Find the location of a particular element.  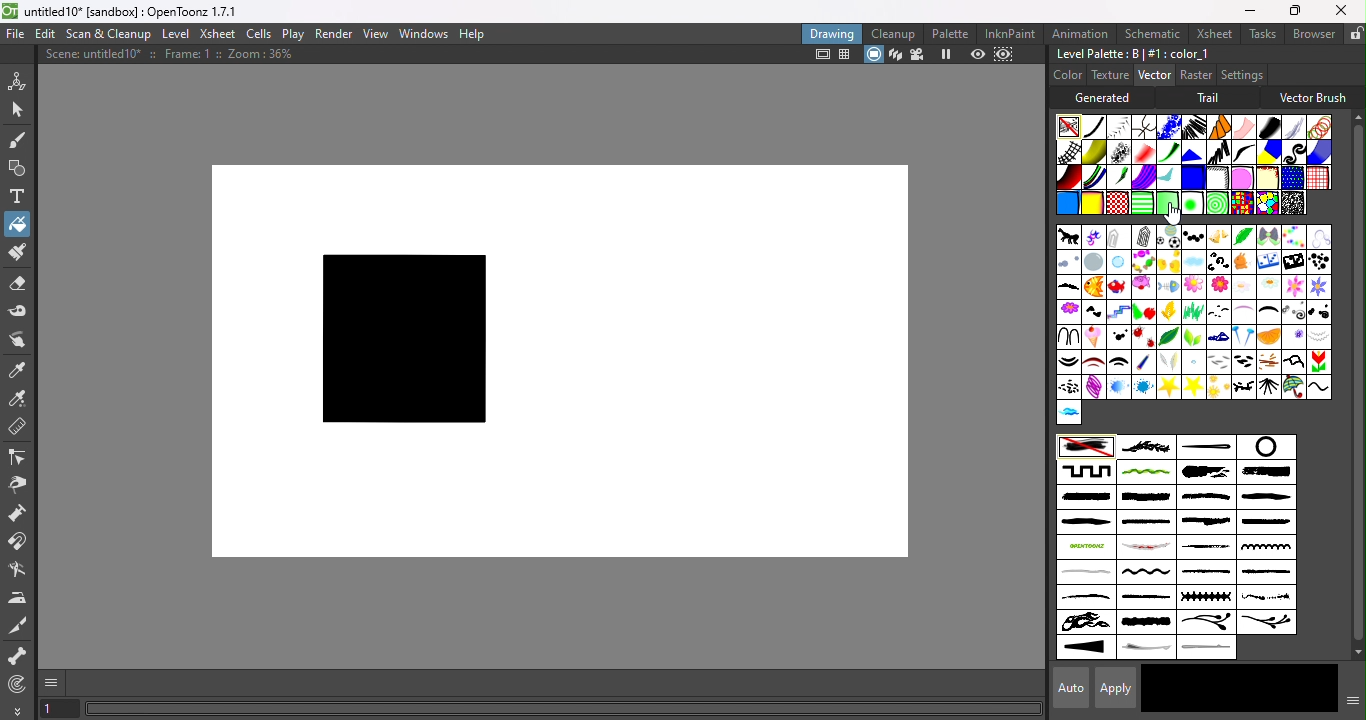

Flow is located at coordinates (1192, 288).